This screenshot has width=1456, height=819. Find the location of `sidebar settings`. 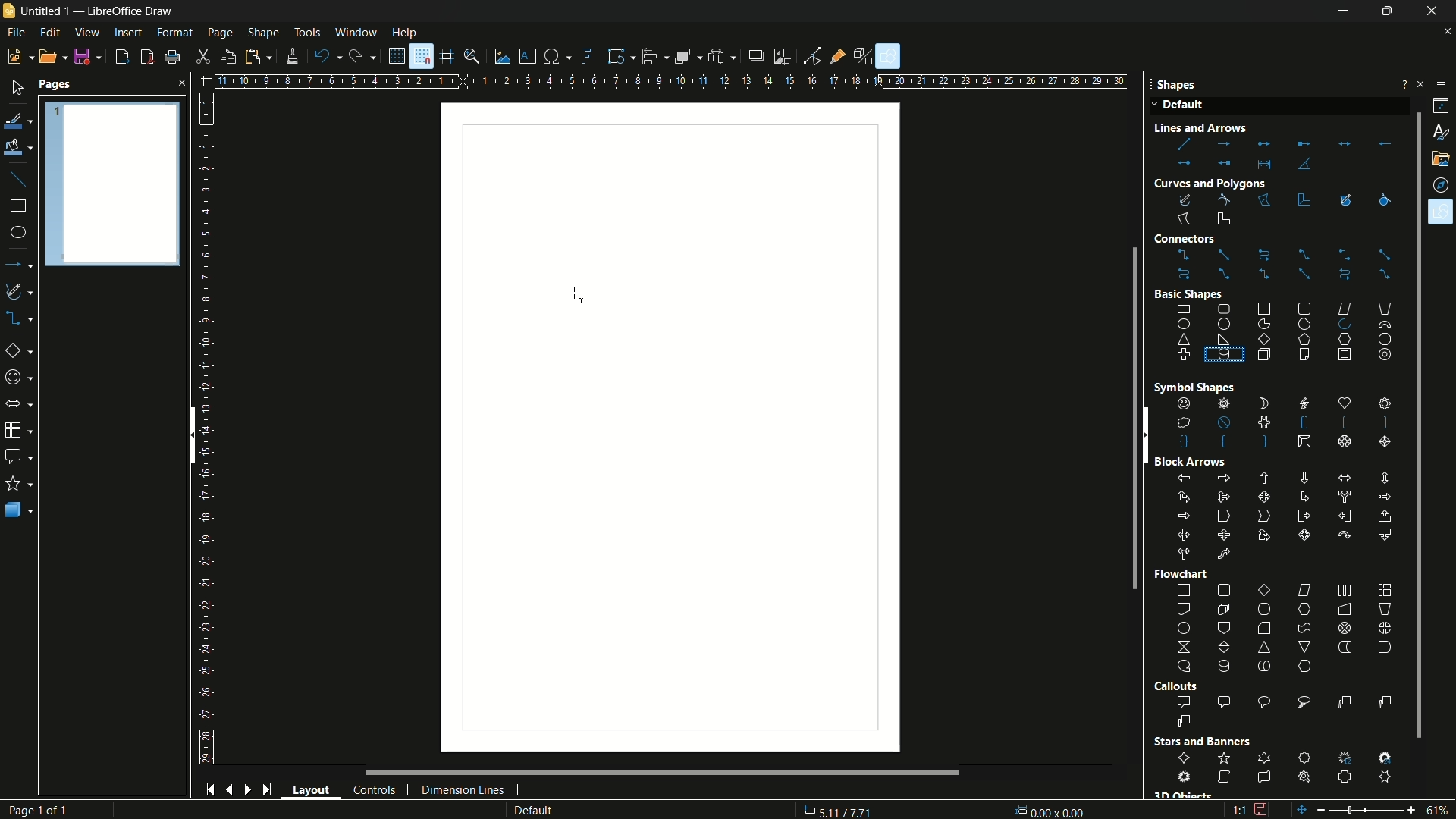

sidebar settings is located at coordinates (1439, 83).